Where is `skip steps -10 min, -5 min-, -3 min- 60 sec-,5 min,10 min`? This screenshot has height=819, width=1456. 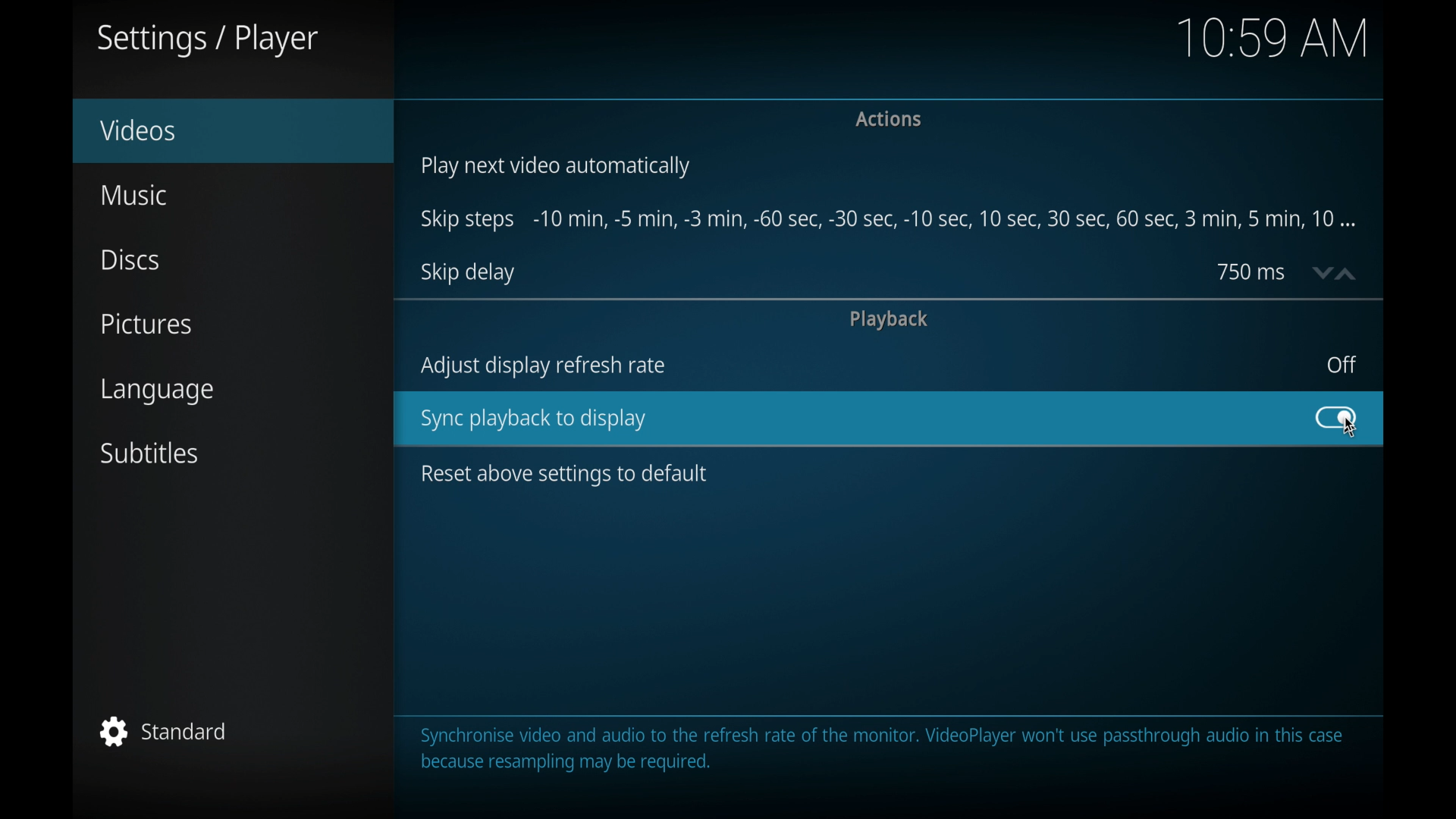
skip steps -10 min, -5 min-, -3 min- 60 sec-,5 min,10 min is located at coordinates (890, 219).